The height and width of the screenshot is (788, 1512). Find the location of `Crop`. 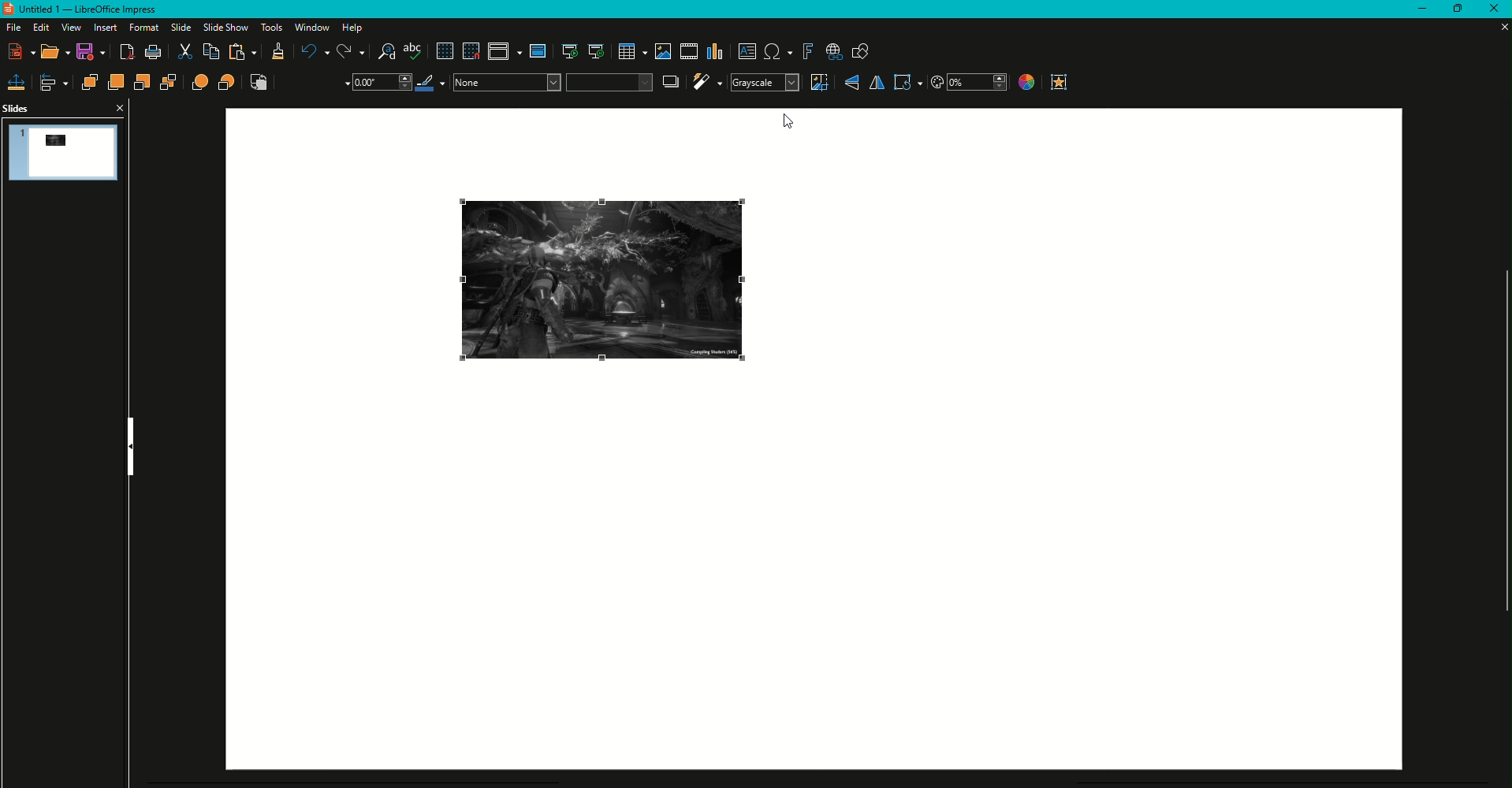

Crop is located at coordinates (818, 82).